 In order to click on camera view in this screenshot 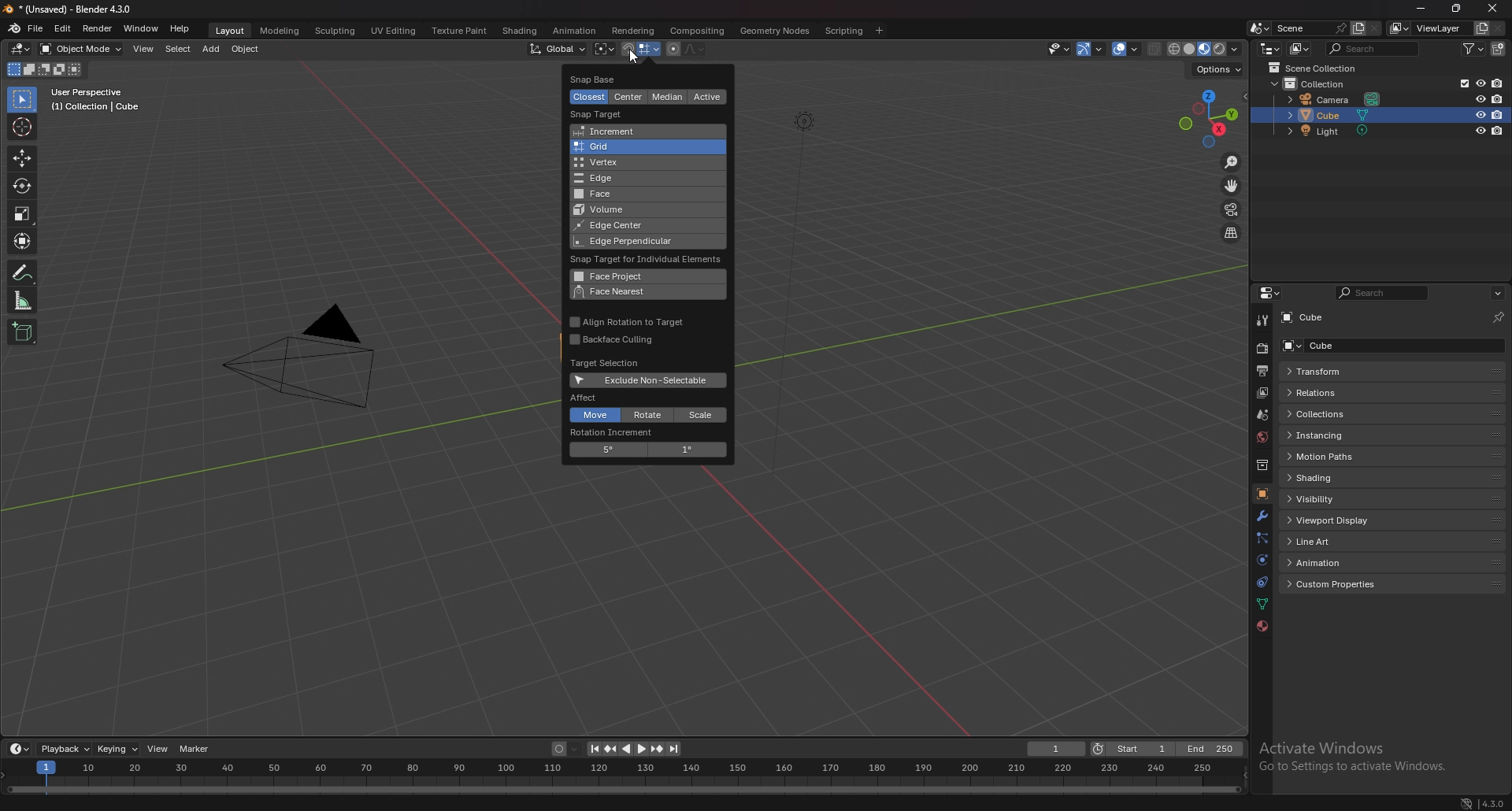, I will do `click(1232, 208)`.